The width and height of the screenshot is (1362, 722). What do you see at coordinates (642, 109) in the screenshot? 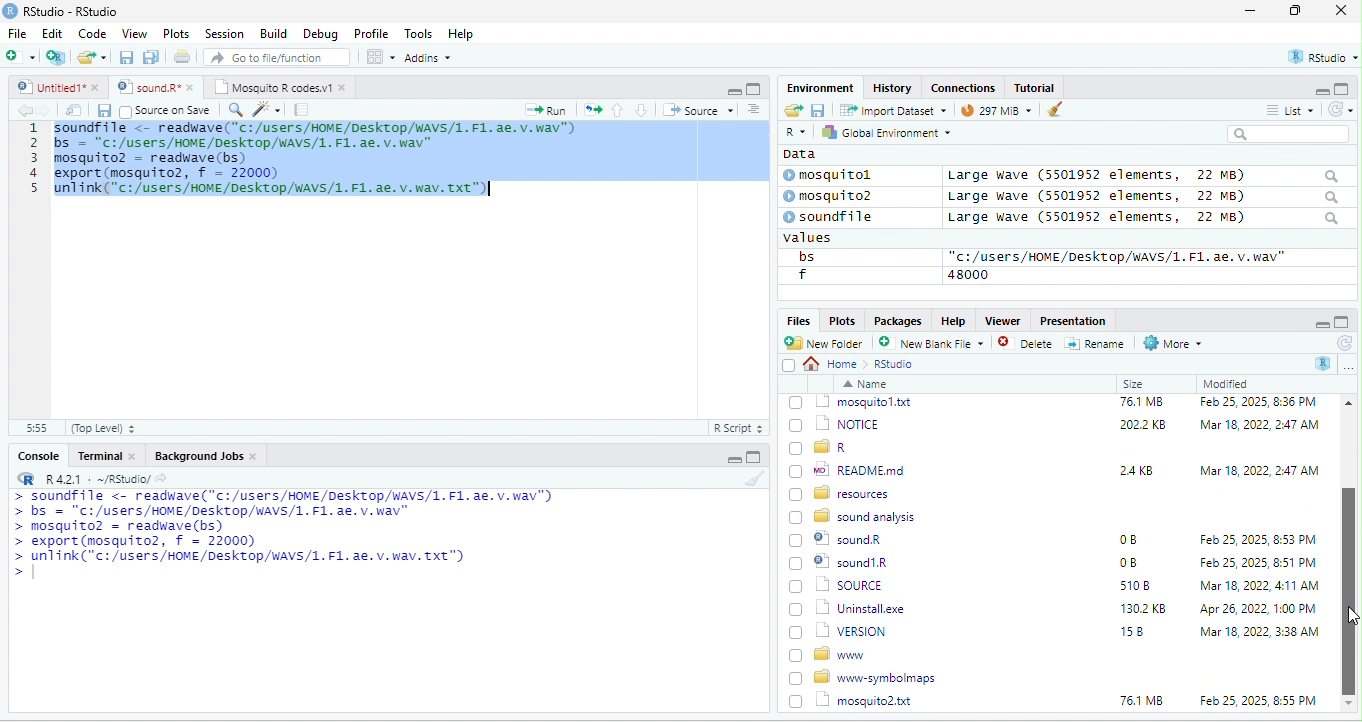
I see `down` at bounding box center [642, 109].